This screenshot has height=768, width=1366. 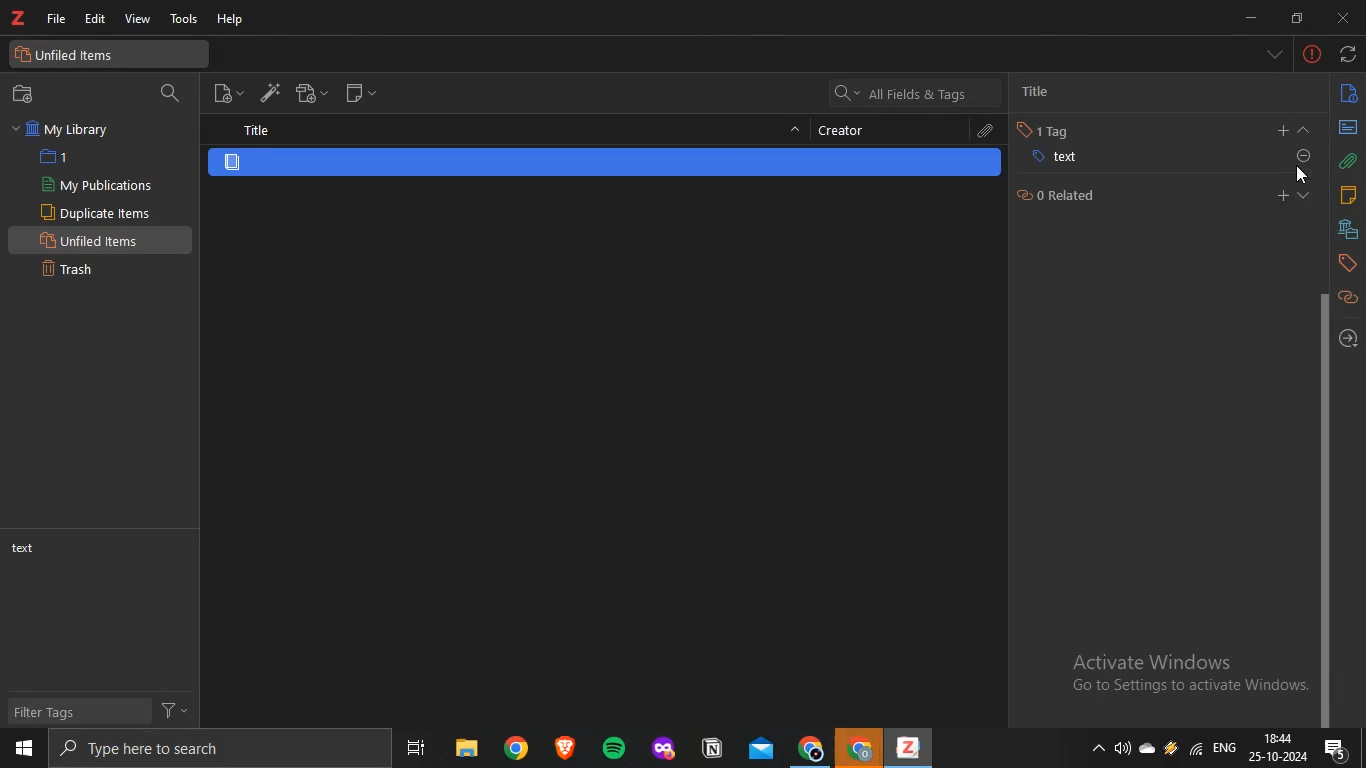 What do you see at coordinates (708, 747) in the screenshot?
I see `app` at bounding box center [708, 747].